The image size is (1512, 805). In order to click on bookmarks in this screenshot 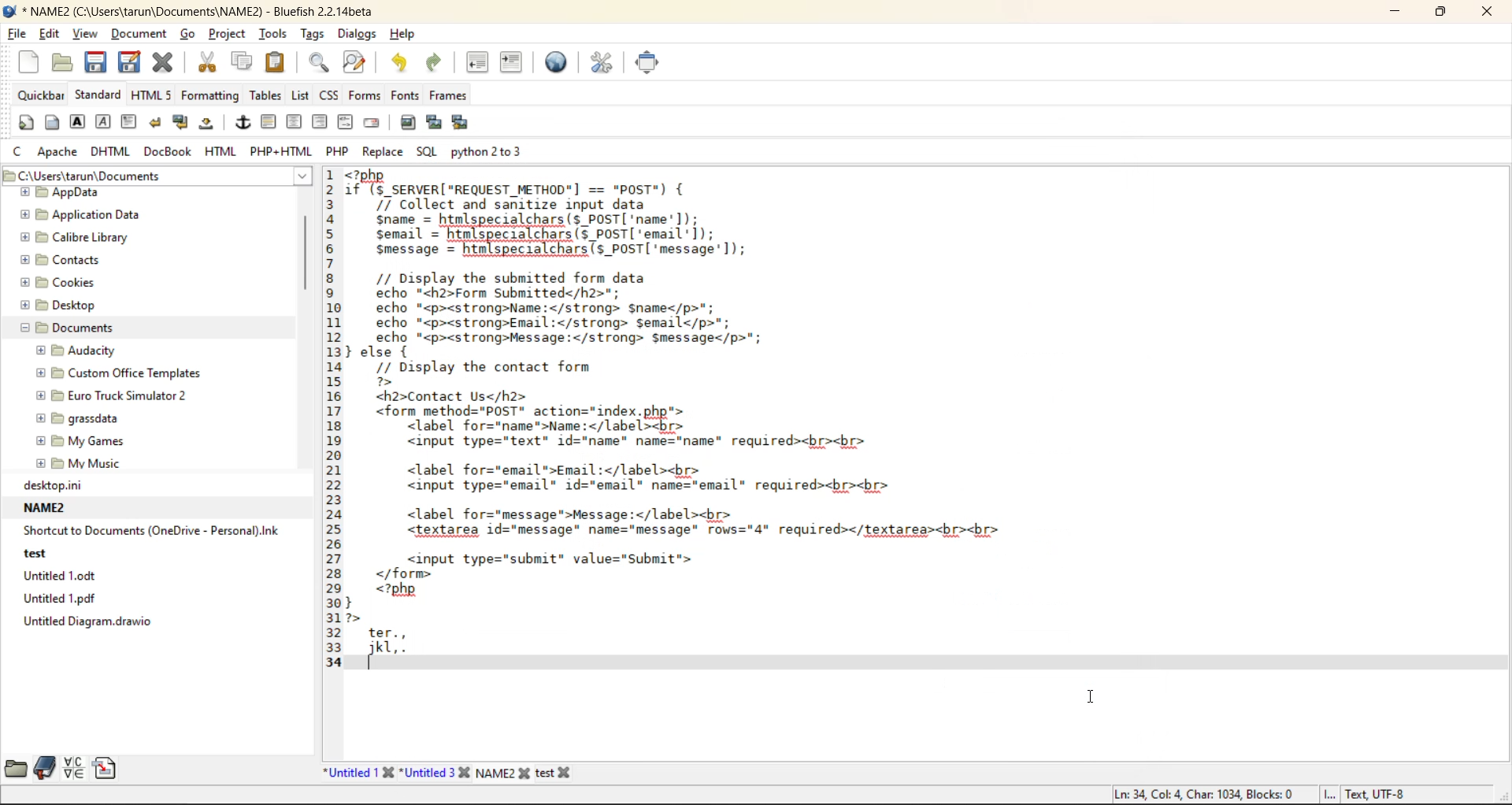, I will do `click(46, 768)`.